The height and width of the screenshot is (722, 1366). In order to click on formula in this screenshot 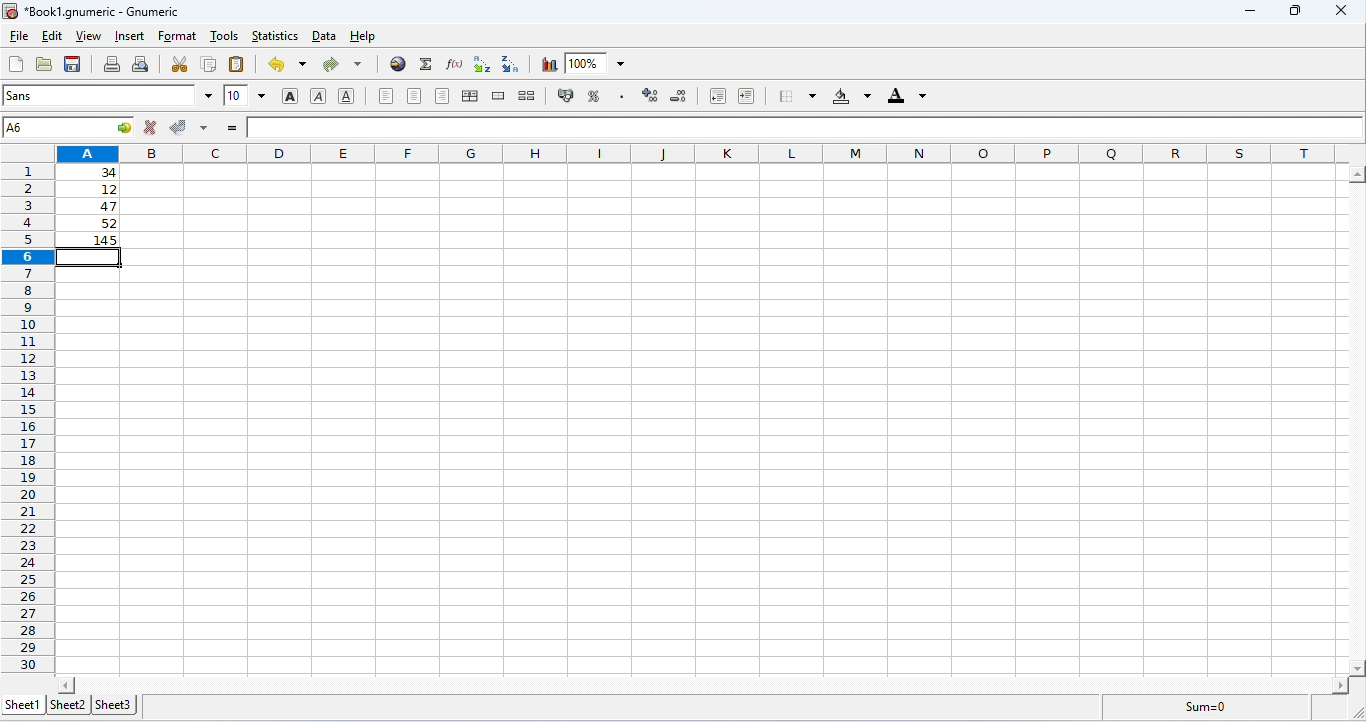, I will do `click(1206, 706)`.